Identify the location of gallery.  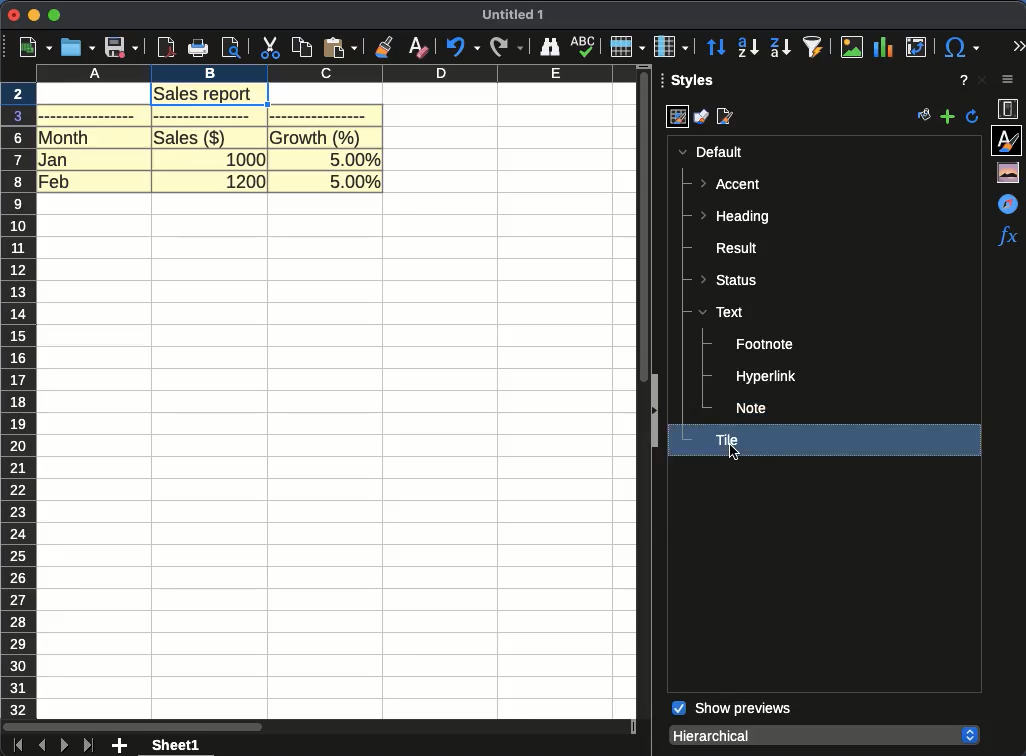
(1011, 172).